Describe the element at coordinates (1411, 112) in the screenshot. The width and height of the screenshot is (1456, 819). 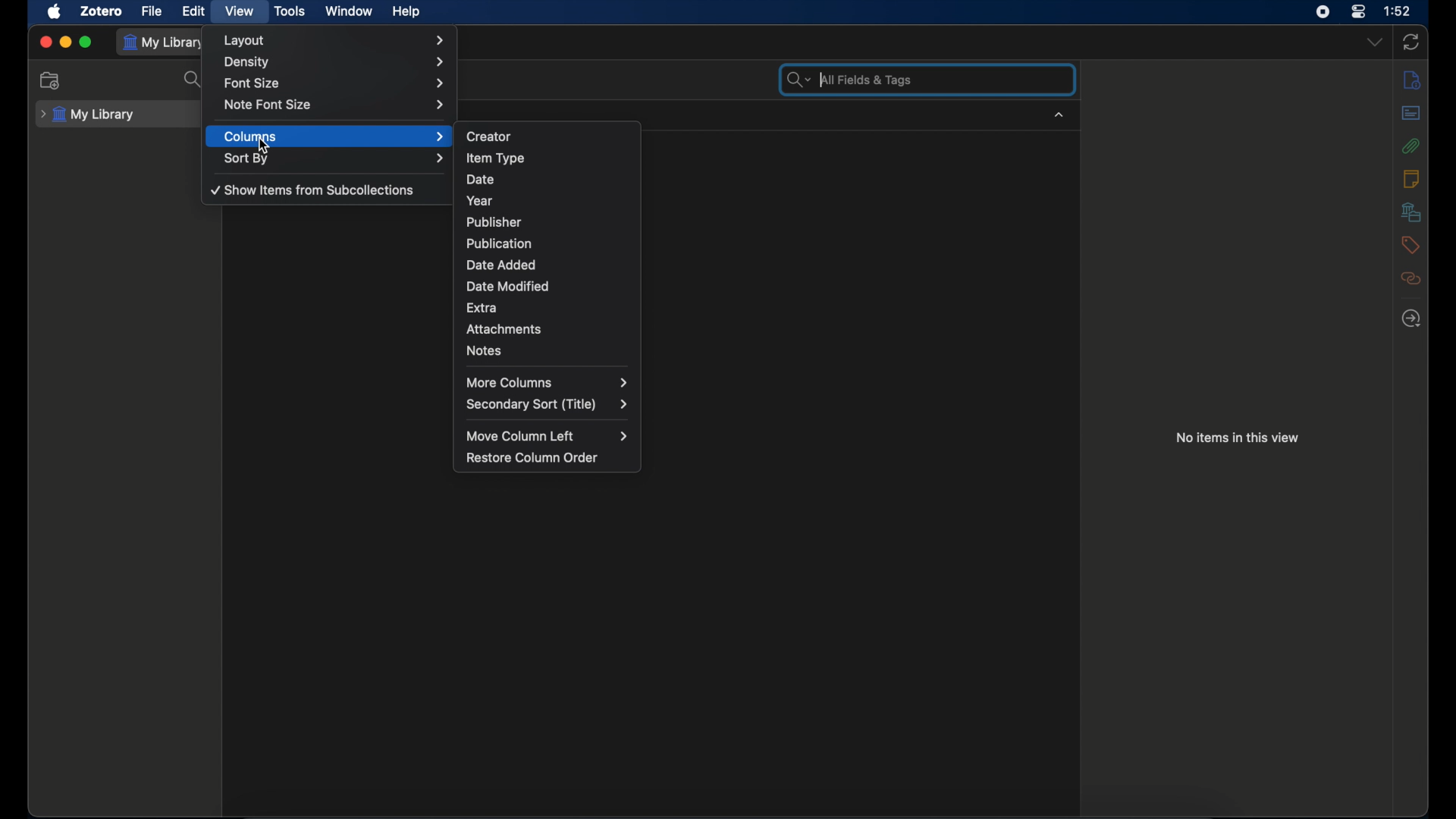
I see `abstracts` at that location.